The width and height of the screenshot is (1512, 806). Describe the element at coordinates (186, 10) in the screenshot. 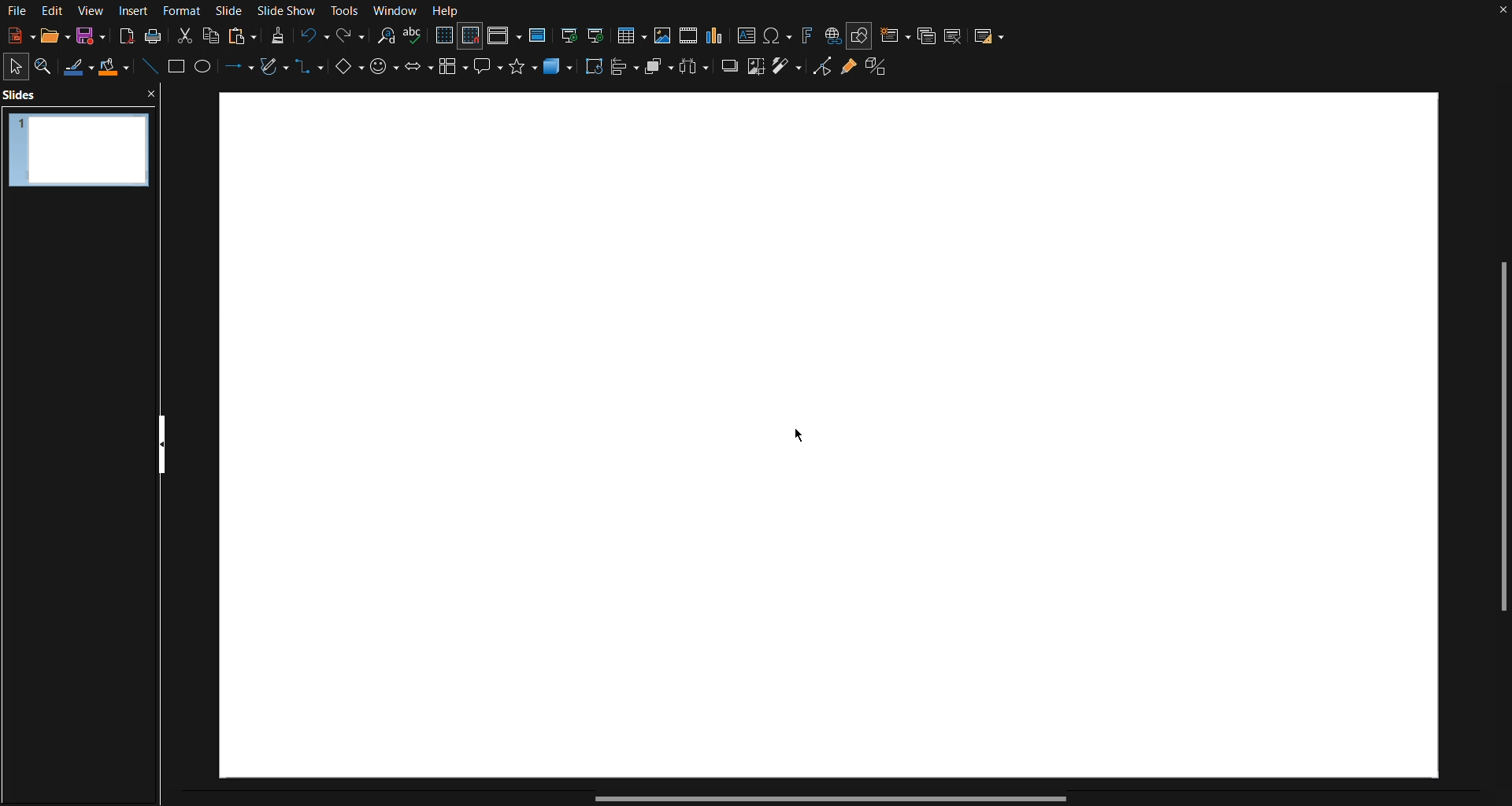

I see `Format` at that location.